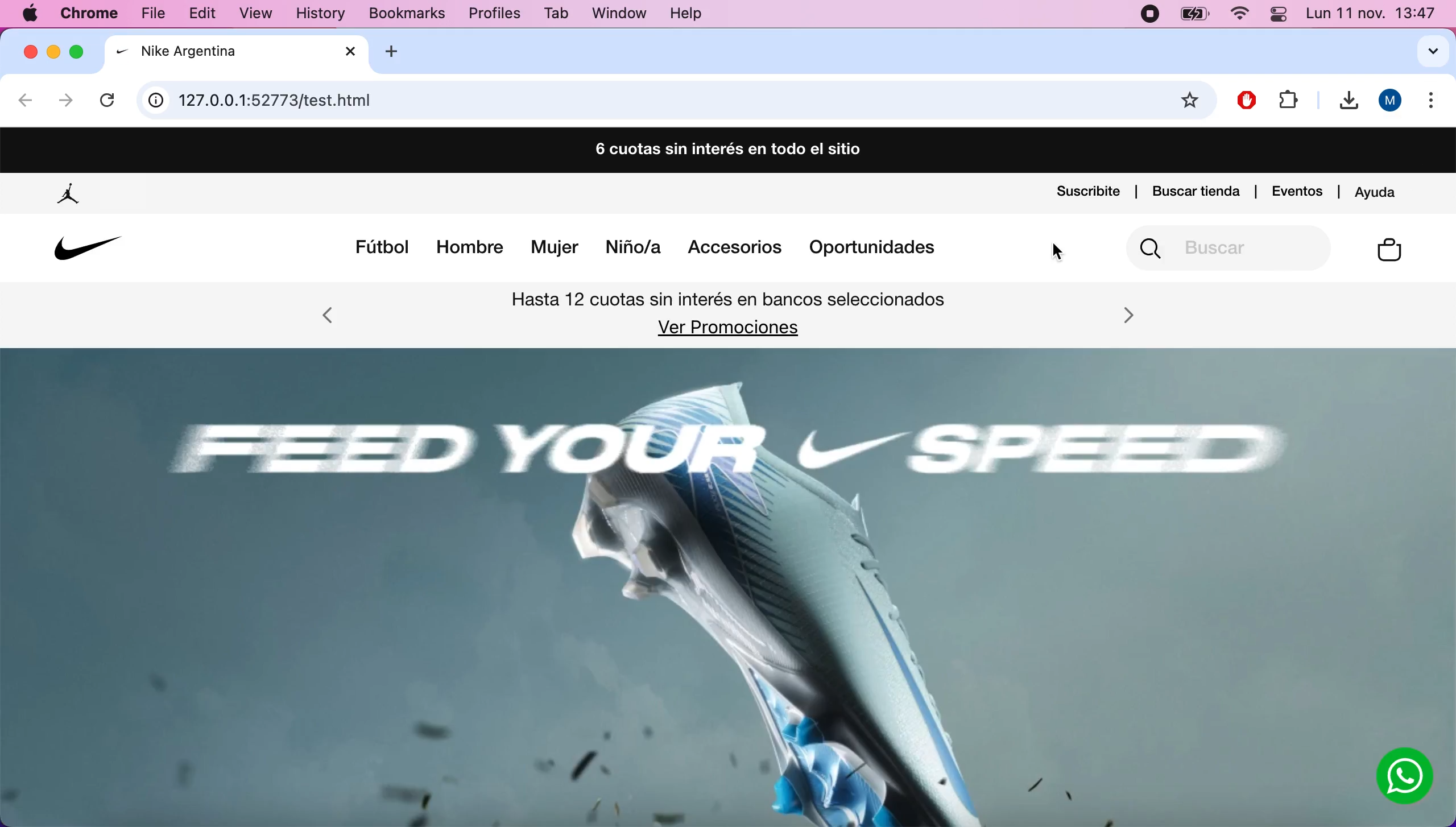  What do you see at coordinates (1288, 98) in the screenshot?
I see `file` at bounding box center [1288, 98].